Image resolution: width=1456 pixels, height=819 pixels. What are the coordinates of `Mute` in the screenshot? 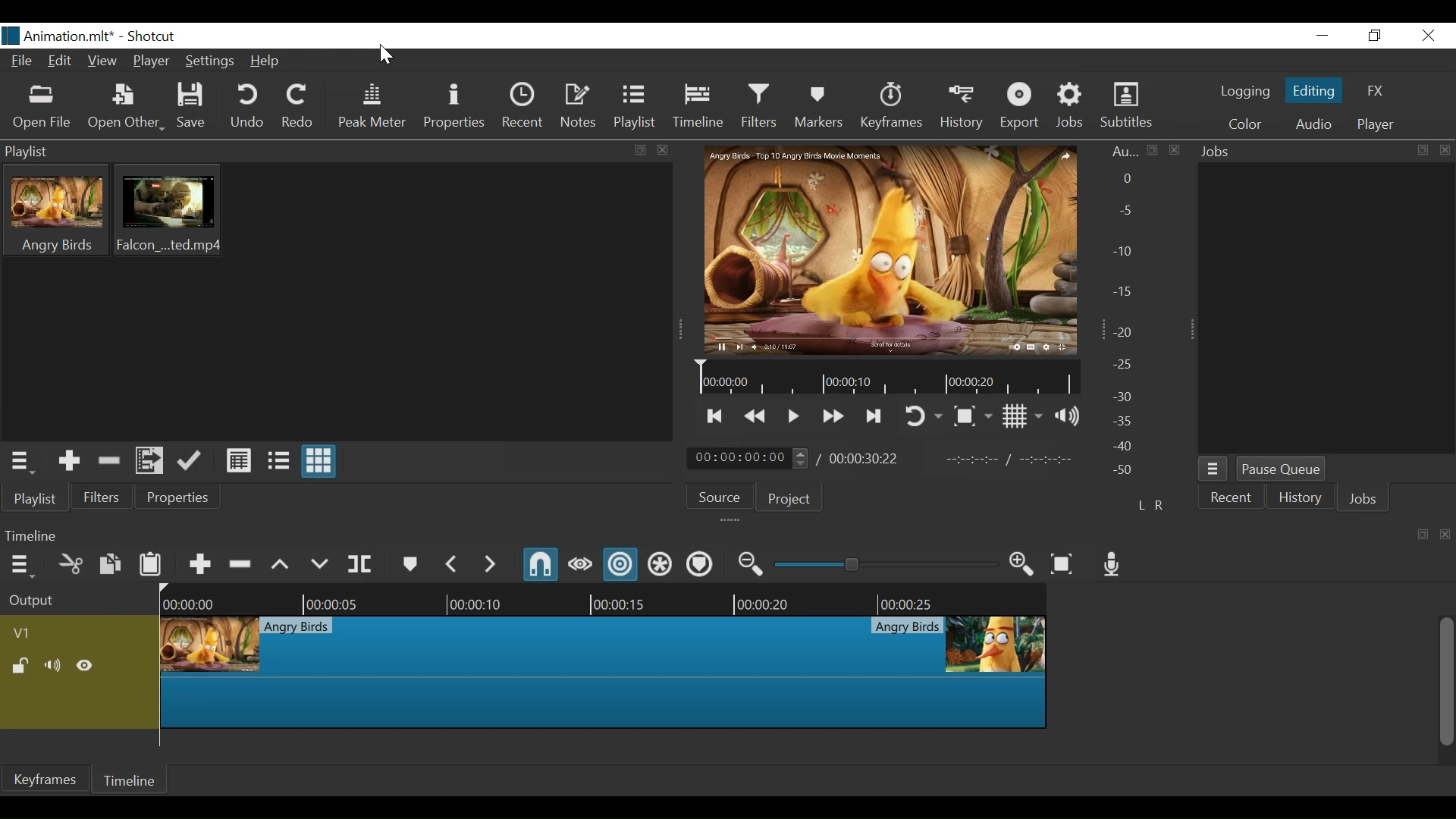 It's located at (54, 666).